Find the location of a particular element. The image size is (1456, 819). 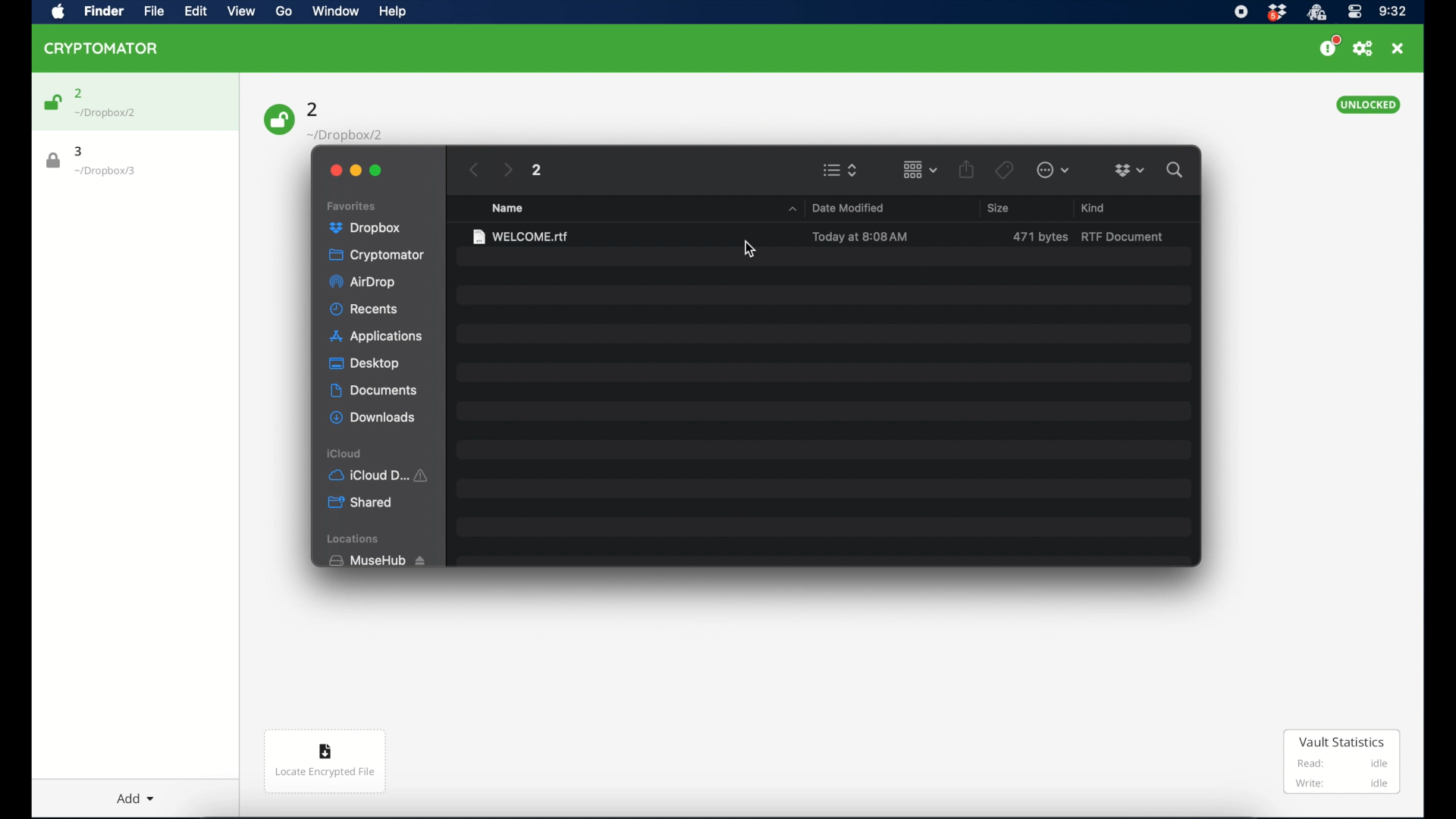

Go is located at coordinates (283, 11).